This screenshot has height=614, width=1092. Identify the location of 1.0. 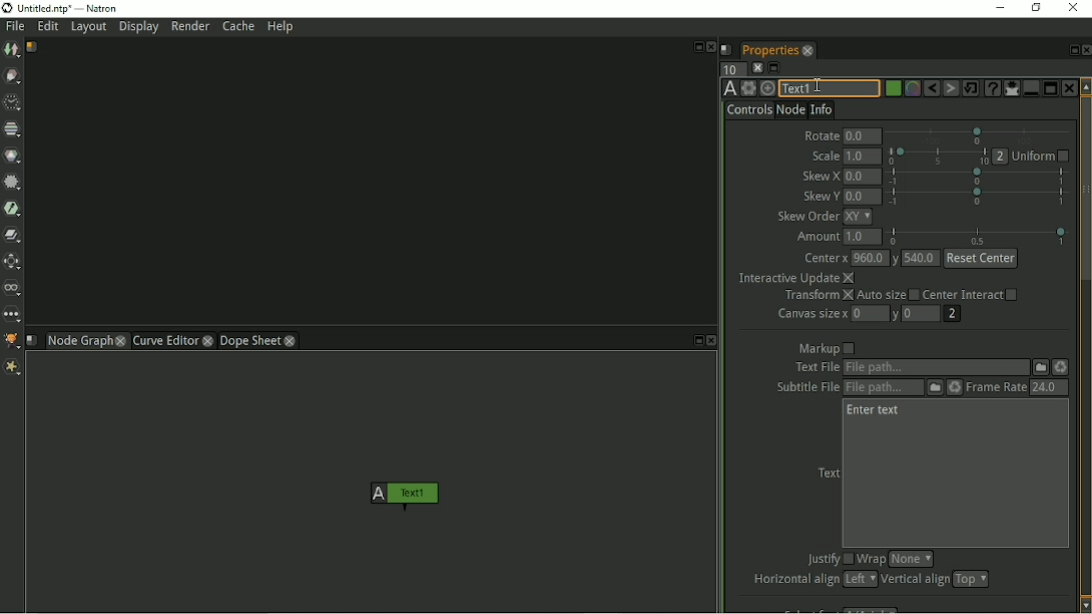
(863, 237).